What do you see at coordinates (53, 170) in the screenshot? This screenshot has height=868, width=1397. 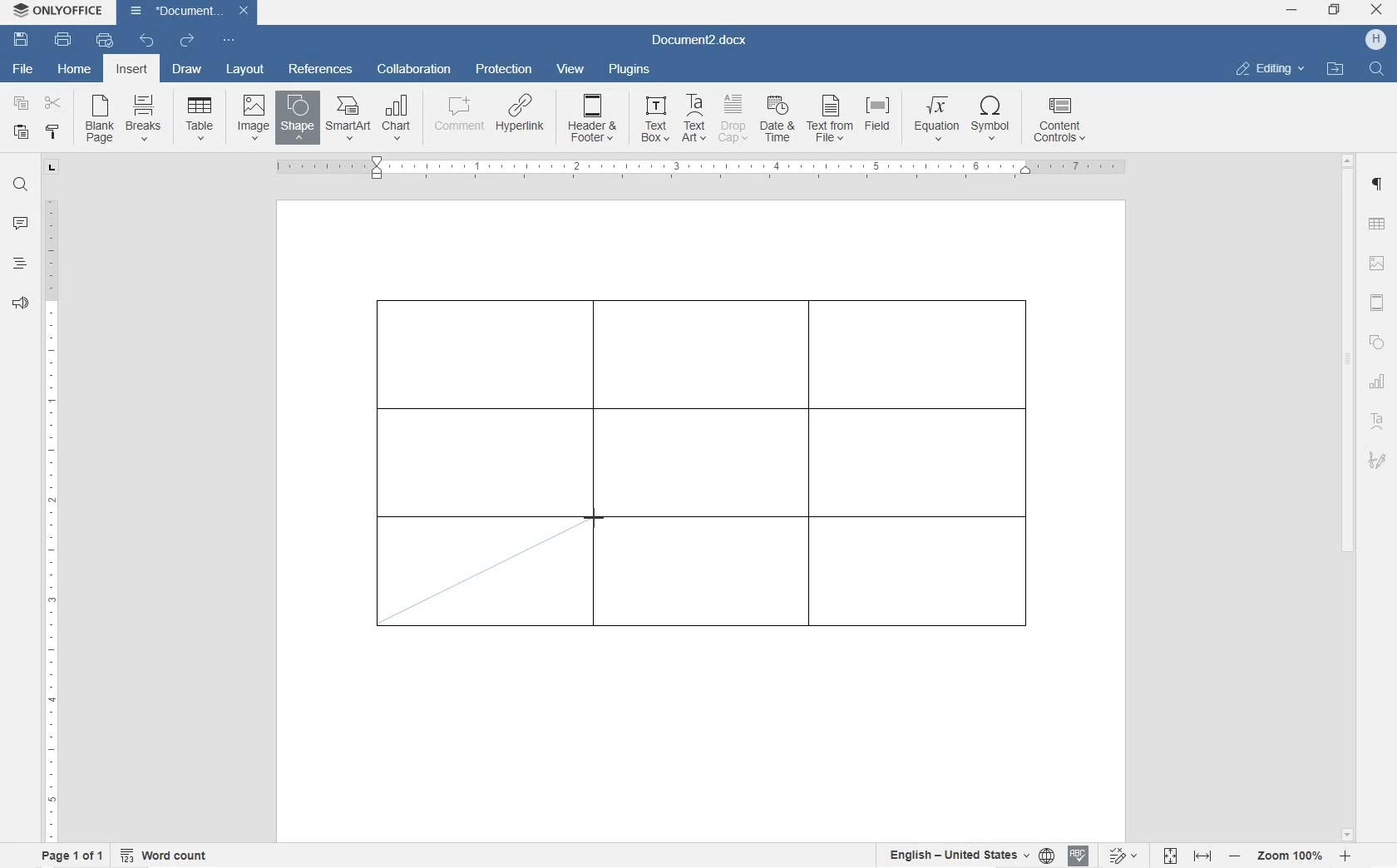 I see `tab` at bounding box center [53, 170].